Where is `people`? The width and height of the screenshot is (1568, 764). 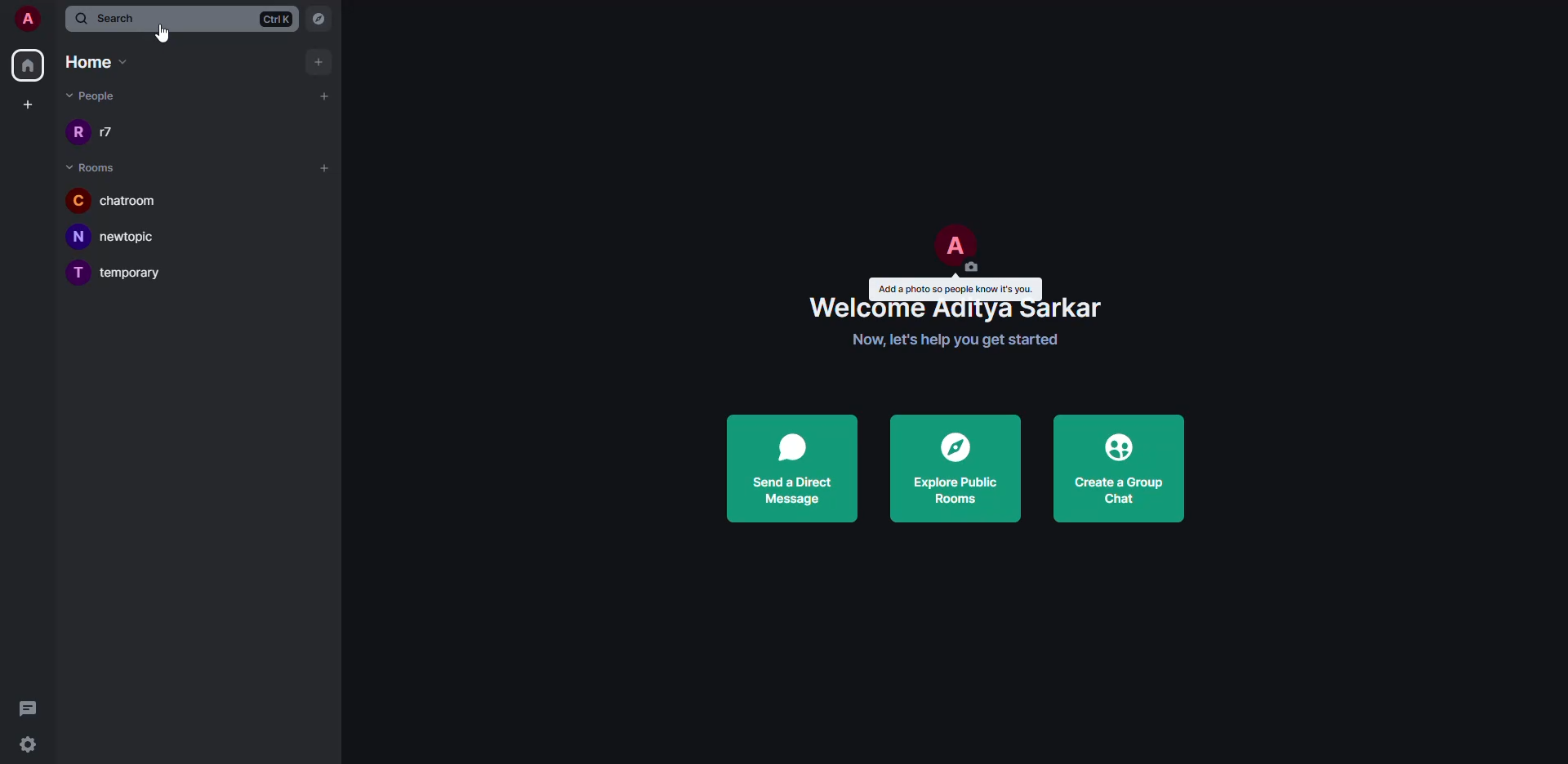
people is located at coordinates (106, 133).